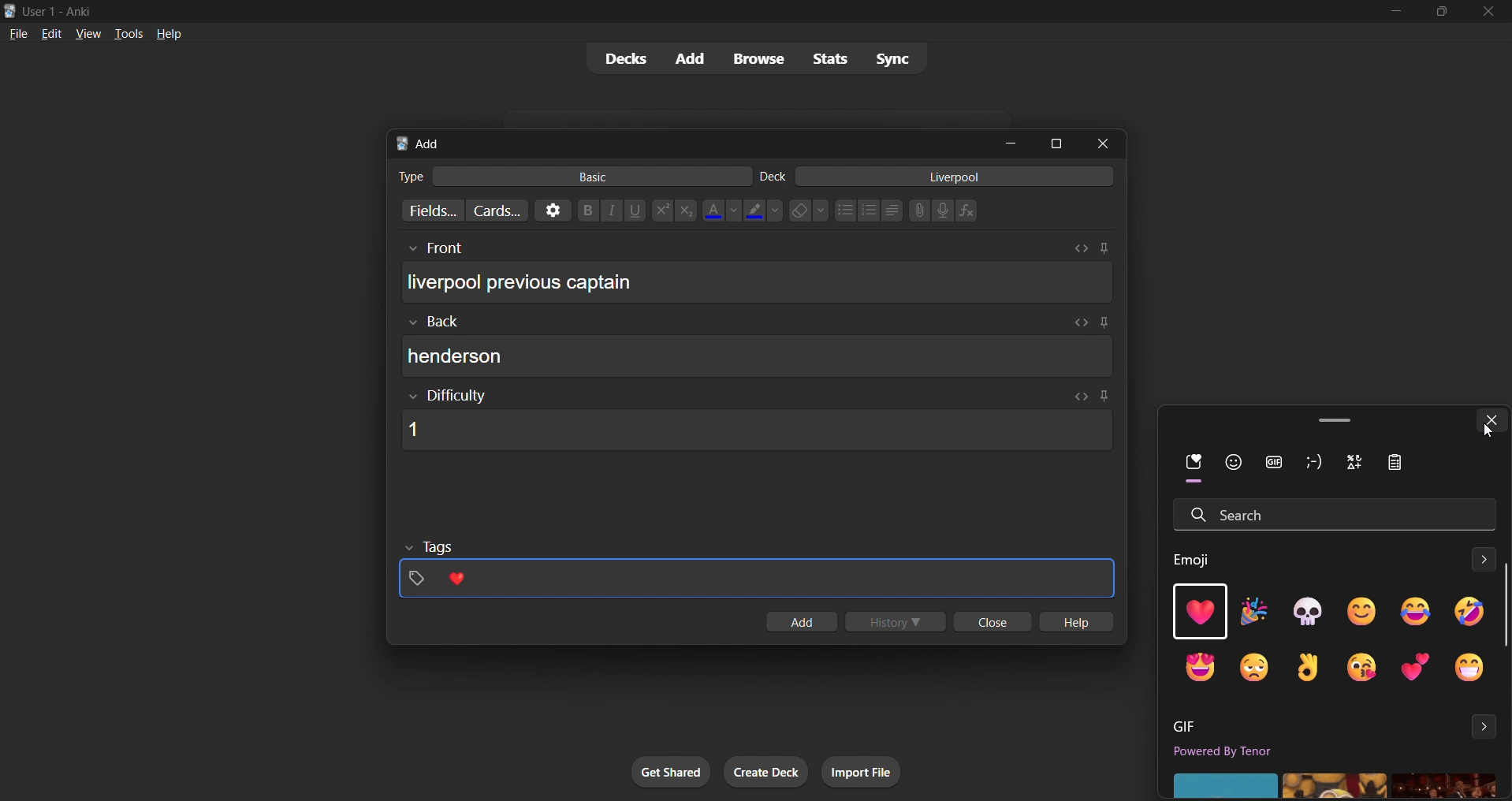 The image size is (1512, 801). What do you see at coordinates (613, 212) in the screenshot?
I see `italic` at bounding box center [613, 212].